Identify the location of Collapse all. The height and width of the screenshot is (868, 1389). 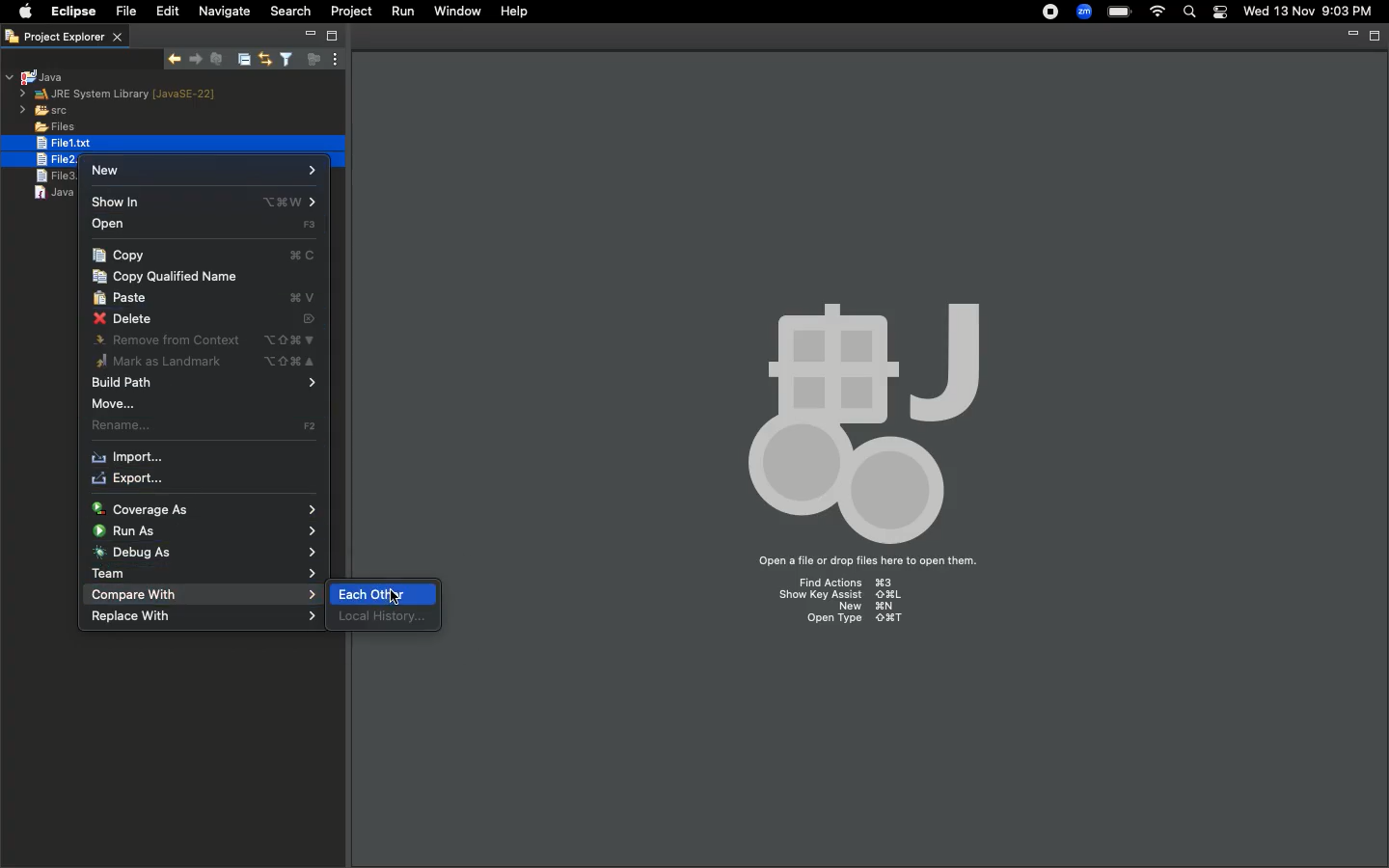
(241, 61).